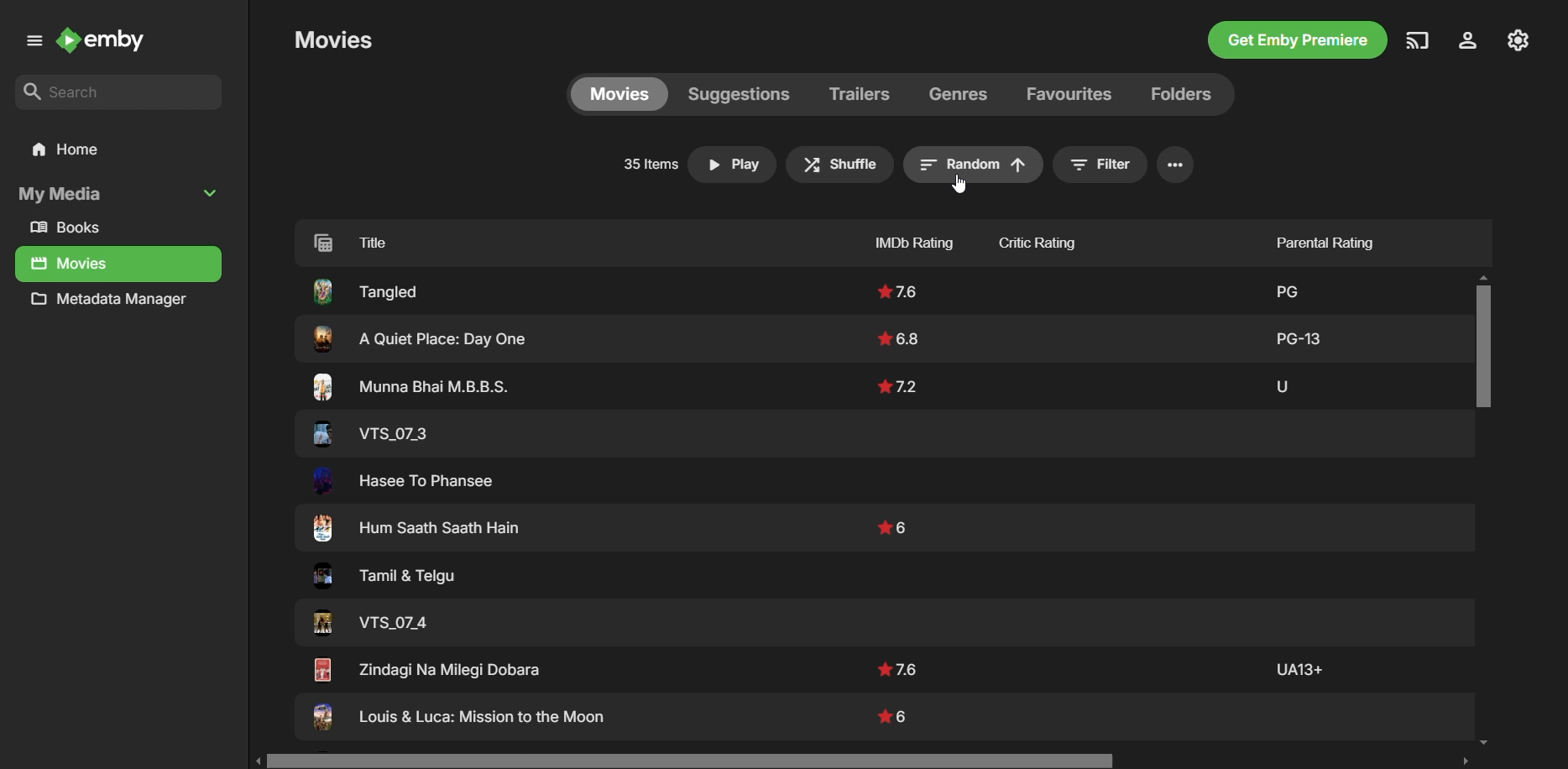 This screenshot has height=769, width=1568. I want to click on Filter, so click(1100, 165).